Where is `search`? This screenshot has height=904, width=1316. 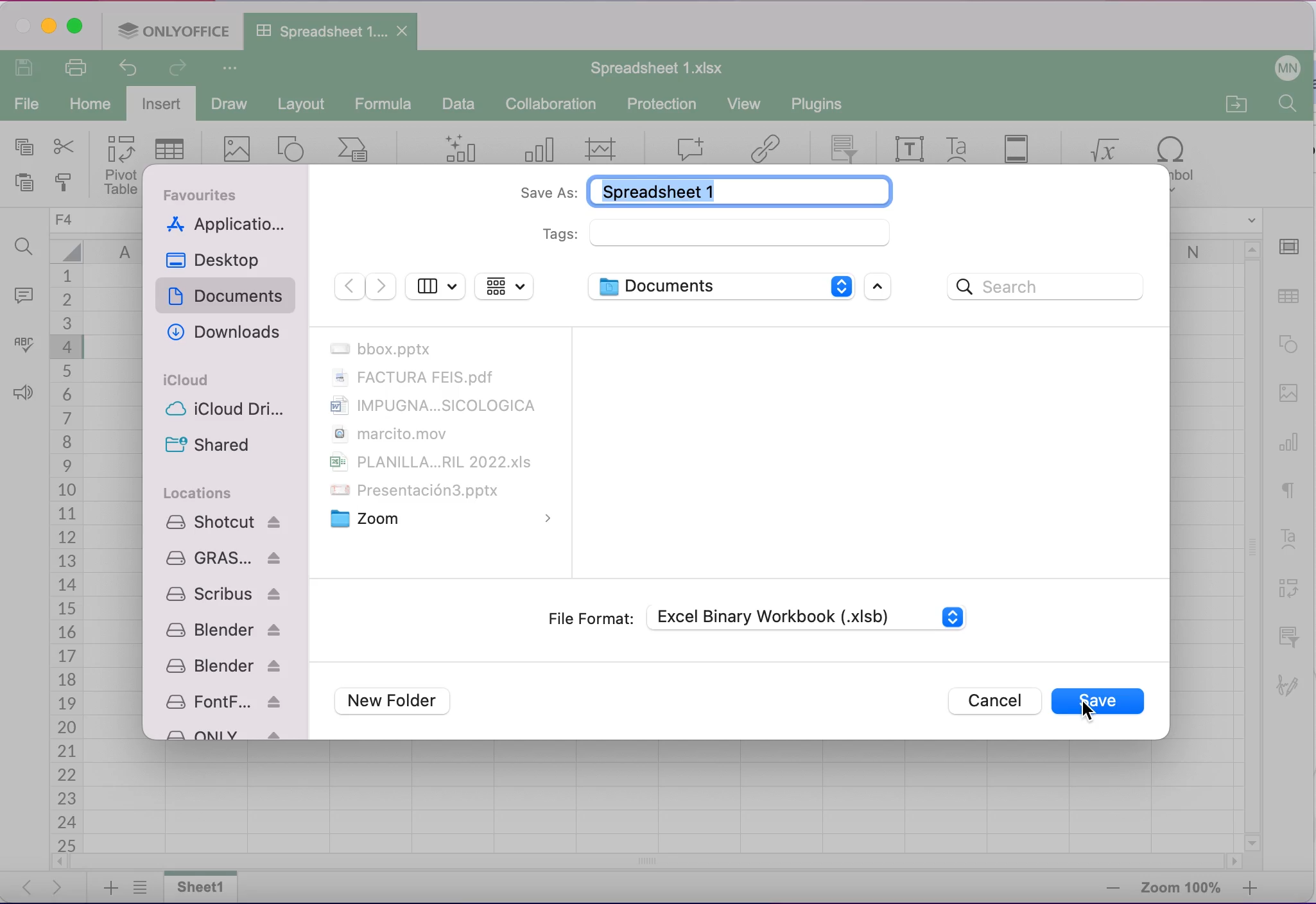
search is located at coordinates (1050, 288).